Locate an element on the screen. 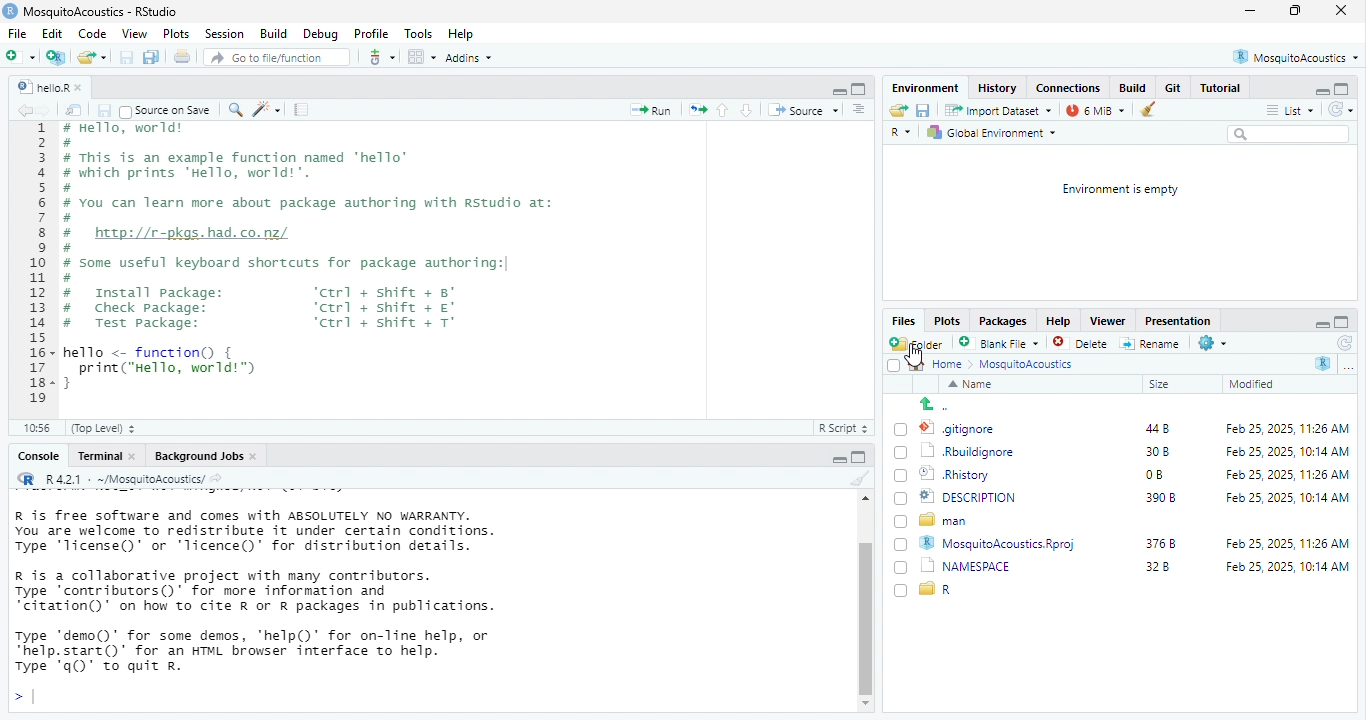 The width and height of the screenshot is (1366, 720).  hellor is located at coordinates (41, 88).